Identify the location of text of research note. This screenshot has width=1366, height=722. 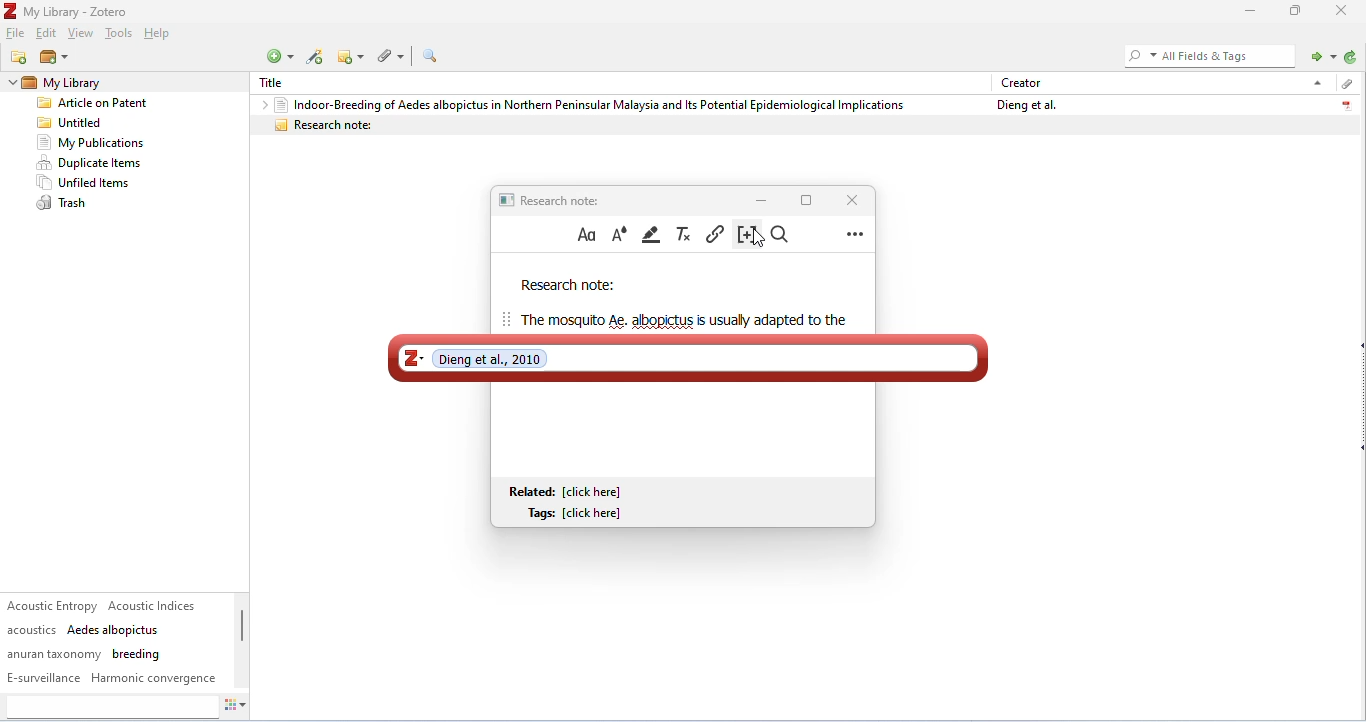
(682, 320).